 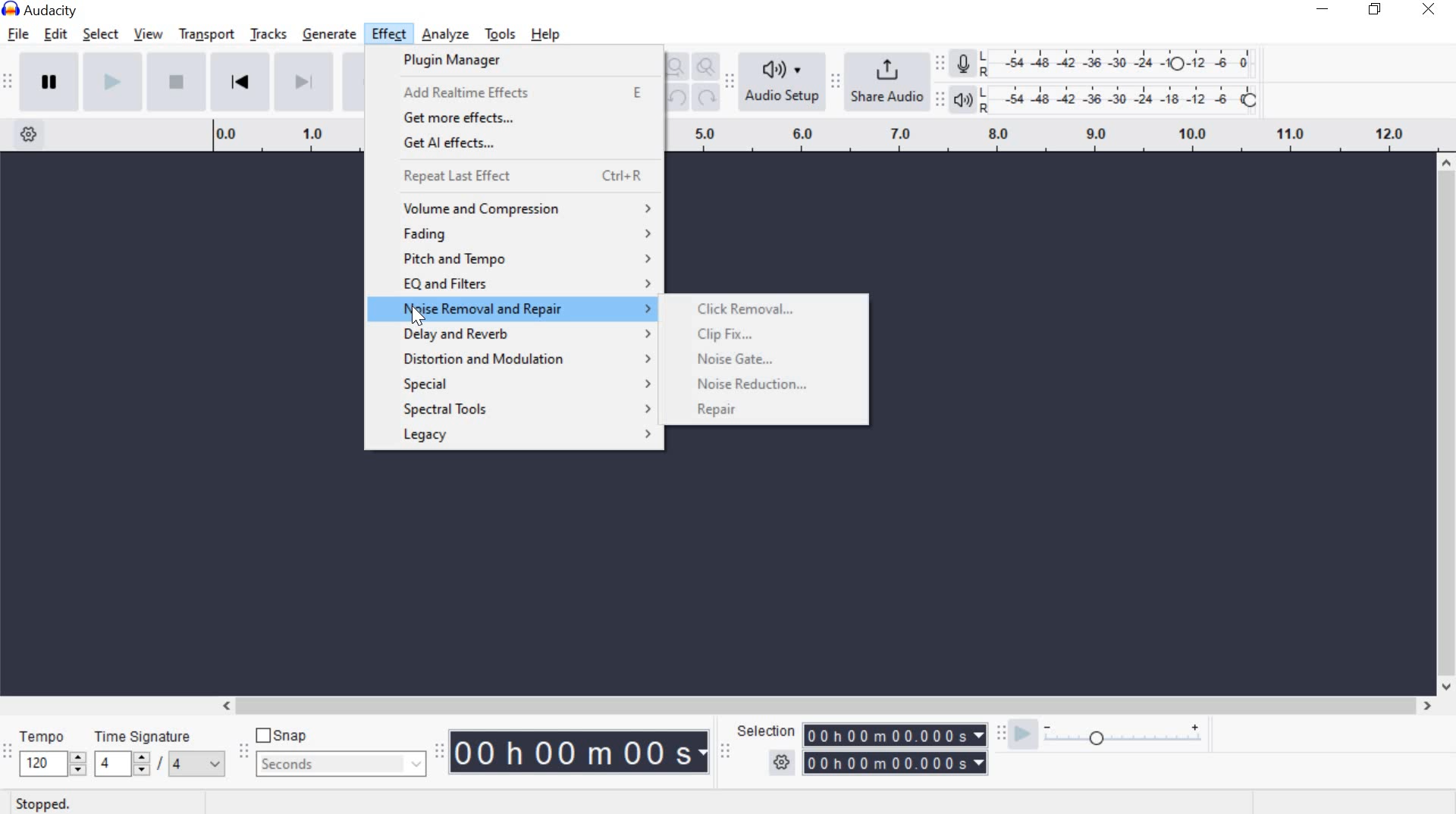 What do you see at coordinates (732, 81) in the screenshot?
I see `Audio setup toolbar` at bounding box center [732, 81].